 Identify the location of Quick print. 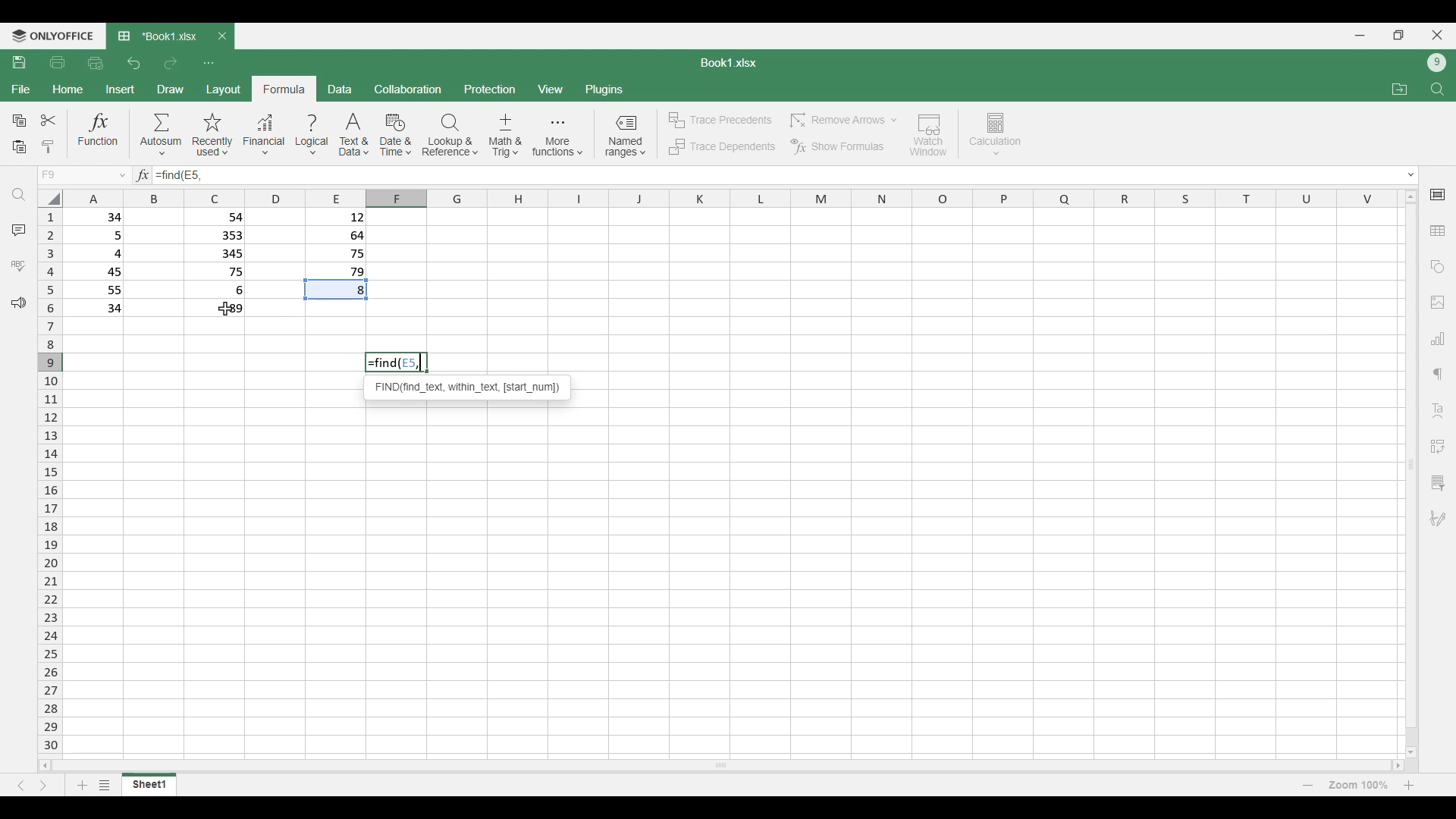
(96, 64).